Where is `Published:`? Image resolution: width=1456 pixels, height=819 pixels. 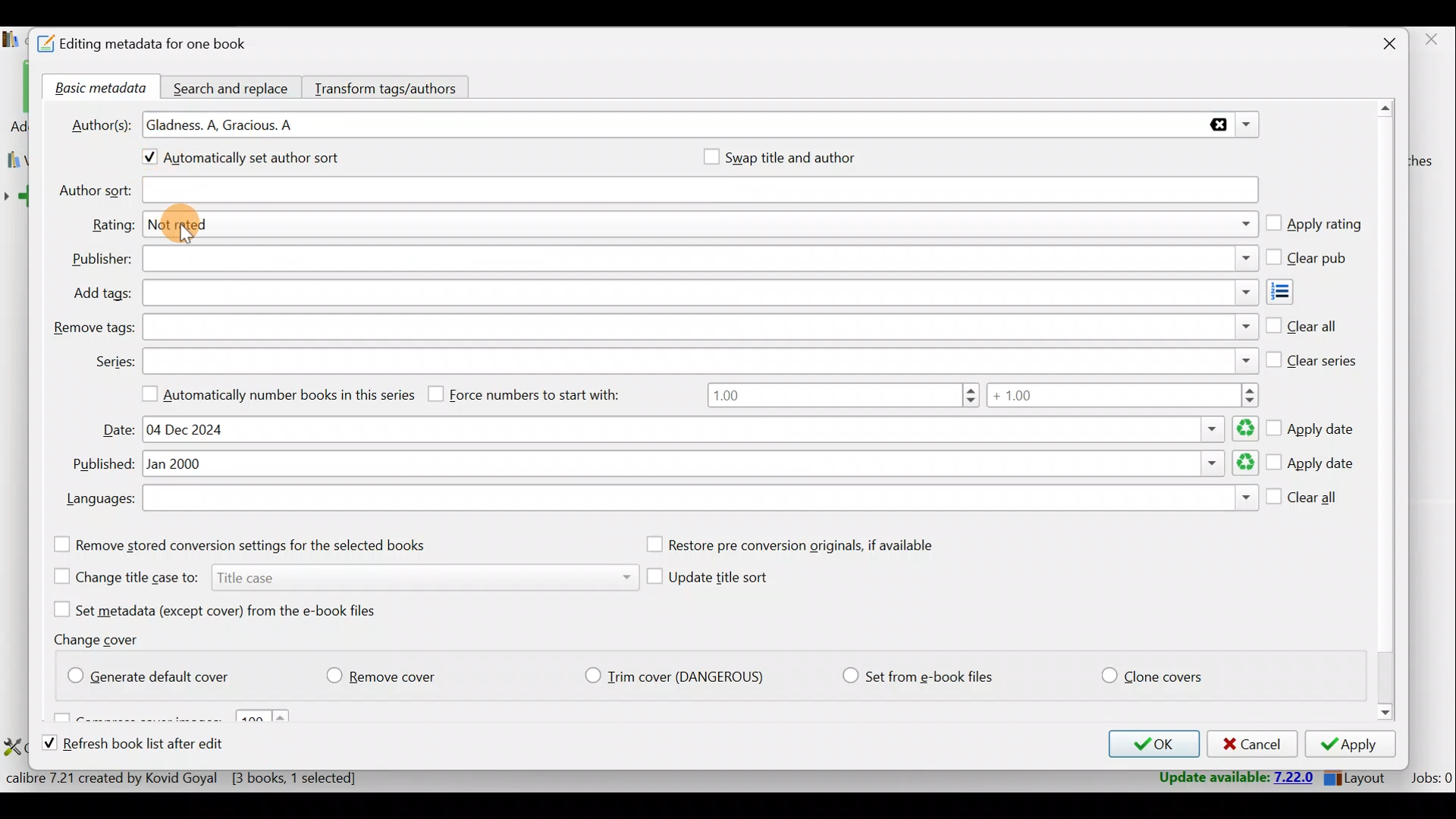
Published: is located at coordinates (100, 465).